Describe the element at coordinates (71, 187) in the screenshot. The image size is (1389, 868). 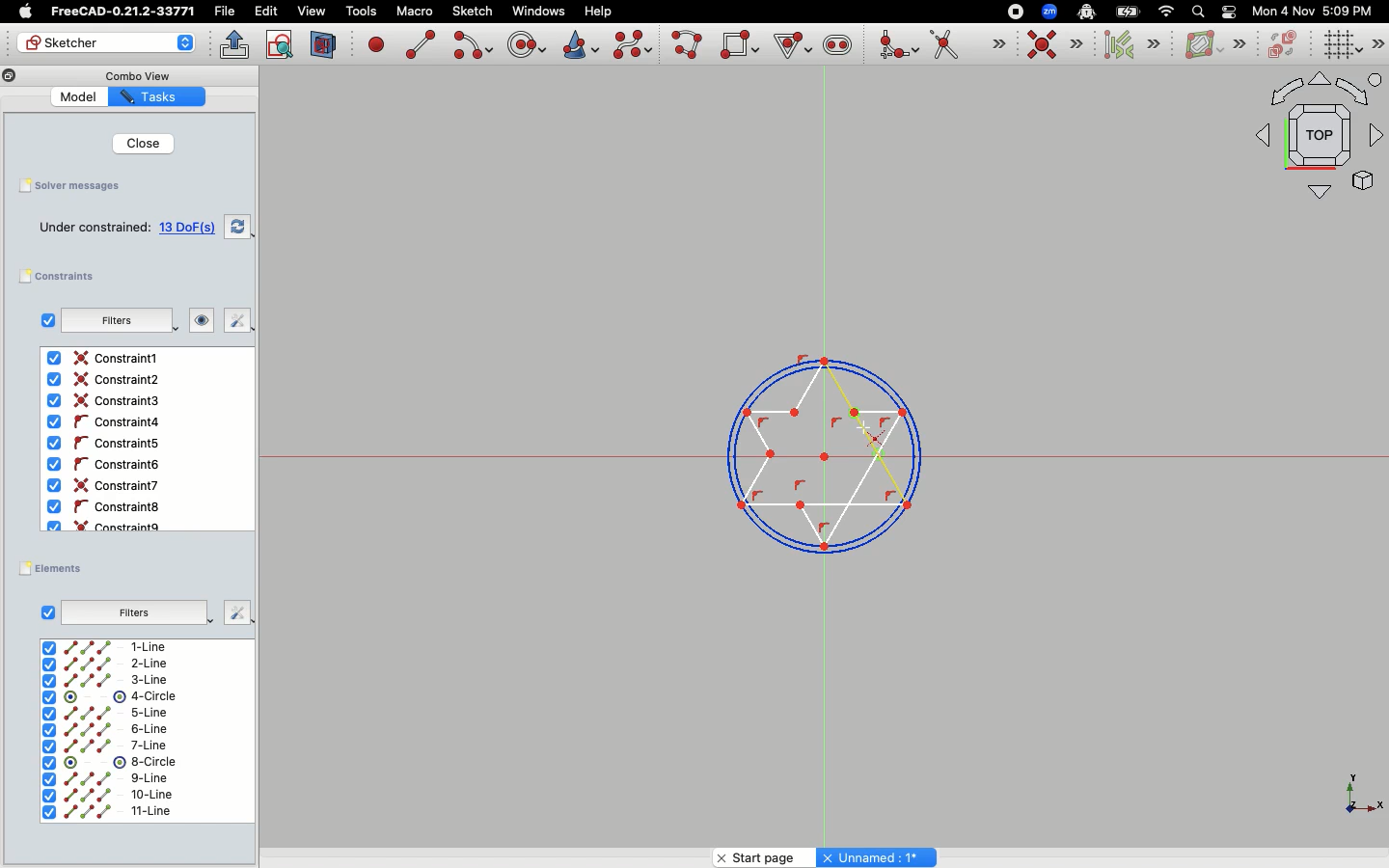
I see `Solver messages` at that location.